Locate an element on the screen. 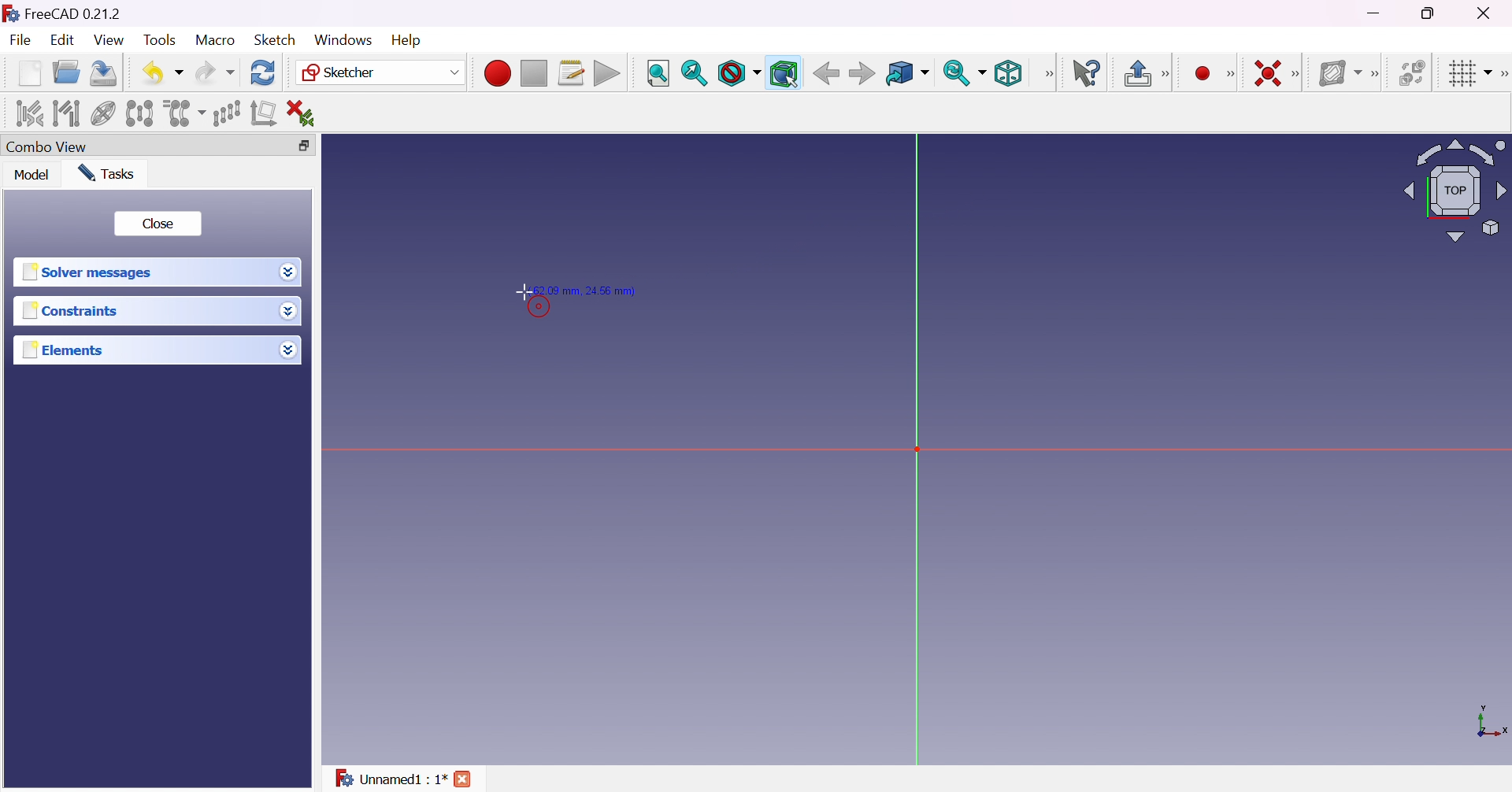 This screenshot has height=792, width=1512. Draw style is located at coordinates (739, 74).